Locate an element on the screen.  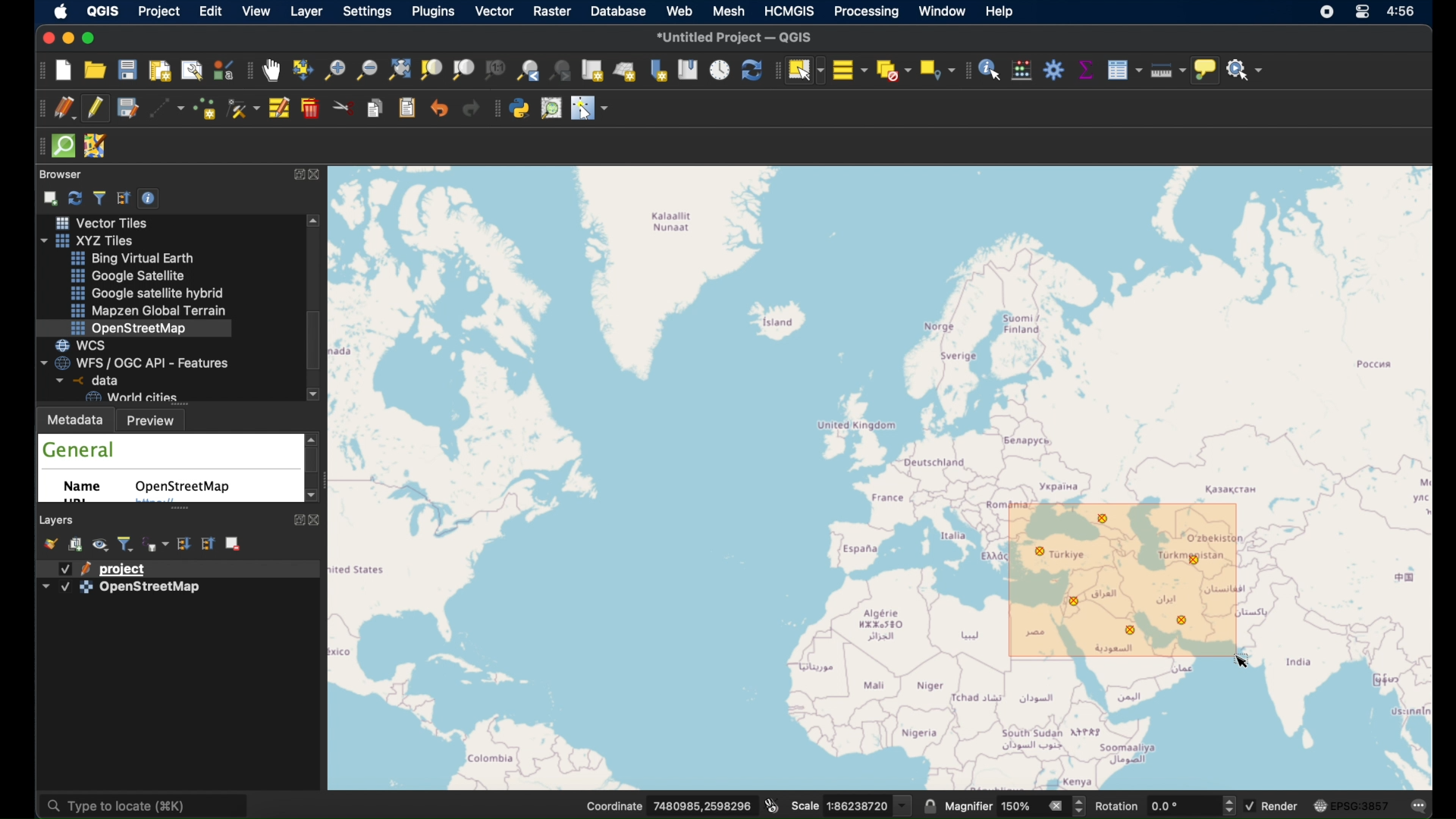
toolbox is located at coordinates (1053, 70).